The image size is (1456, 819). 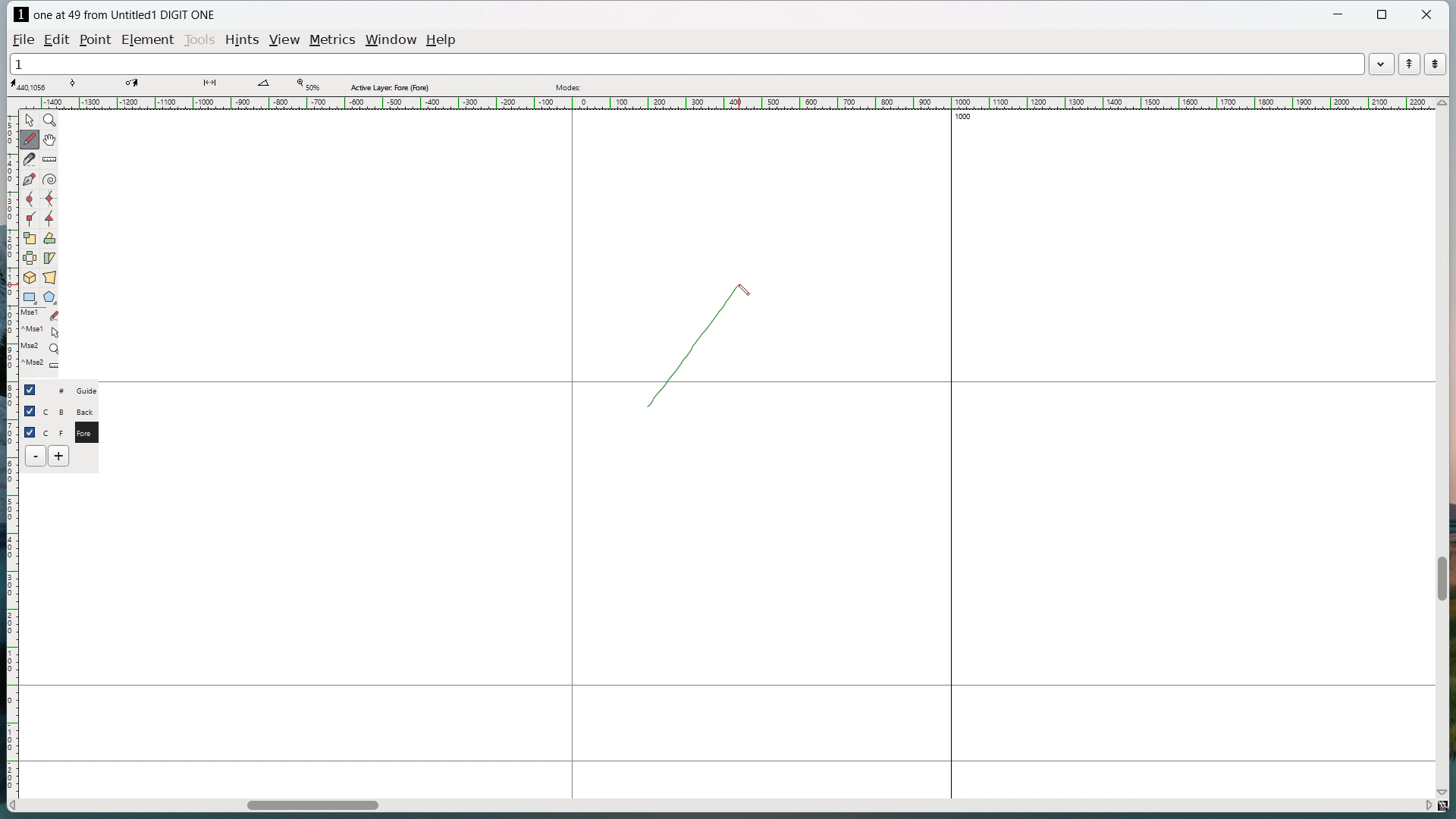 I want to click on delete layer, so click(x=36, y=456).